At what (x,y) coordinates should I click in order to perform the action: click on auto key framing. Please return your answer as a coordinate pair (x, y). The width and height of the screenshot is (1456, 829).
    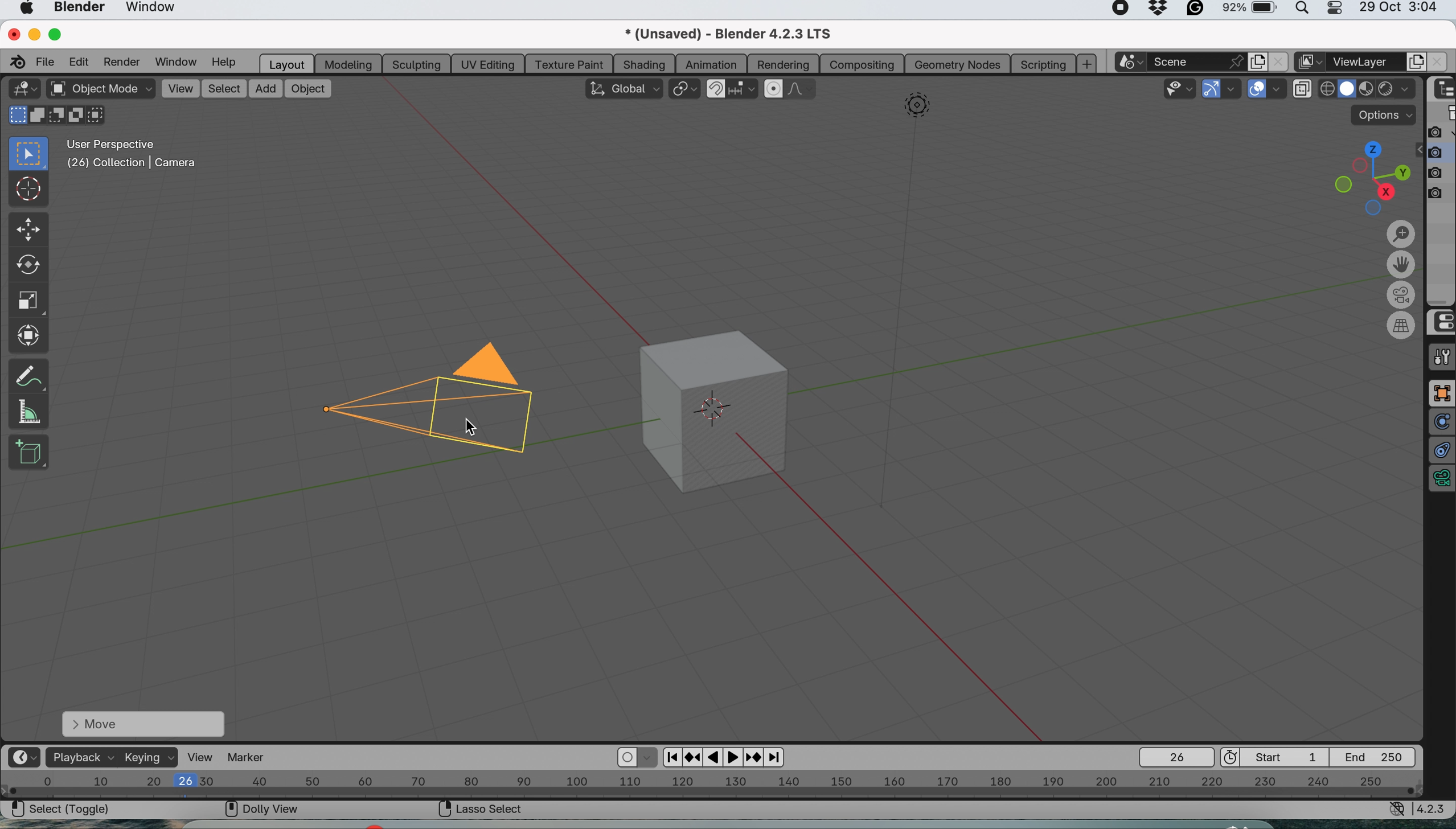
    Looking at the image, I should click on (649, 757).